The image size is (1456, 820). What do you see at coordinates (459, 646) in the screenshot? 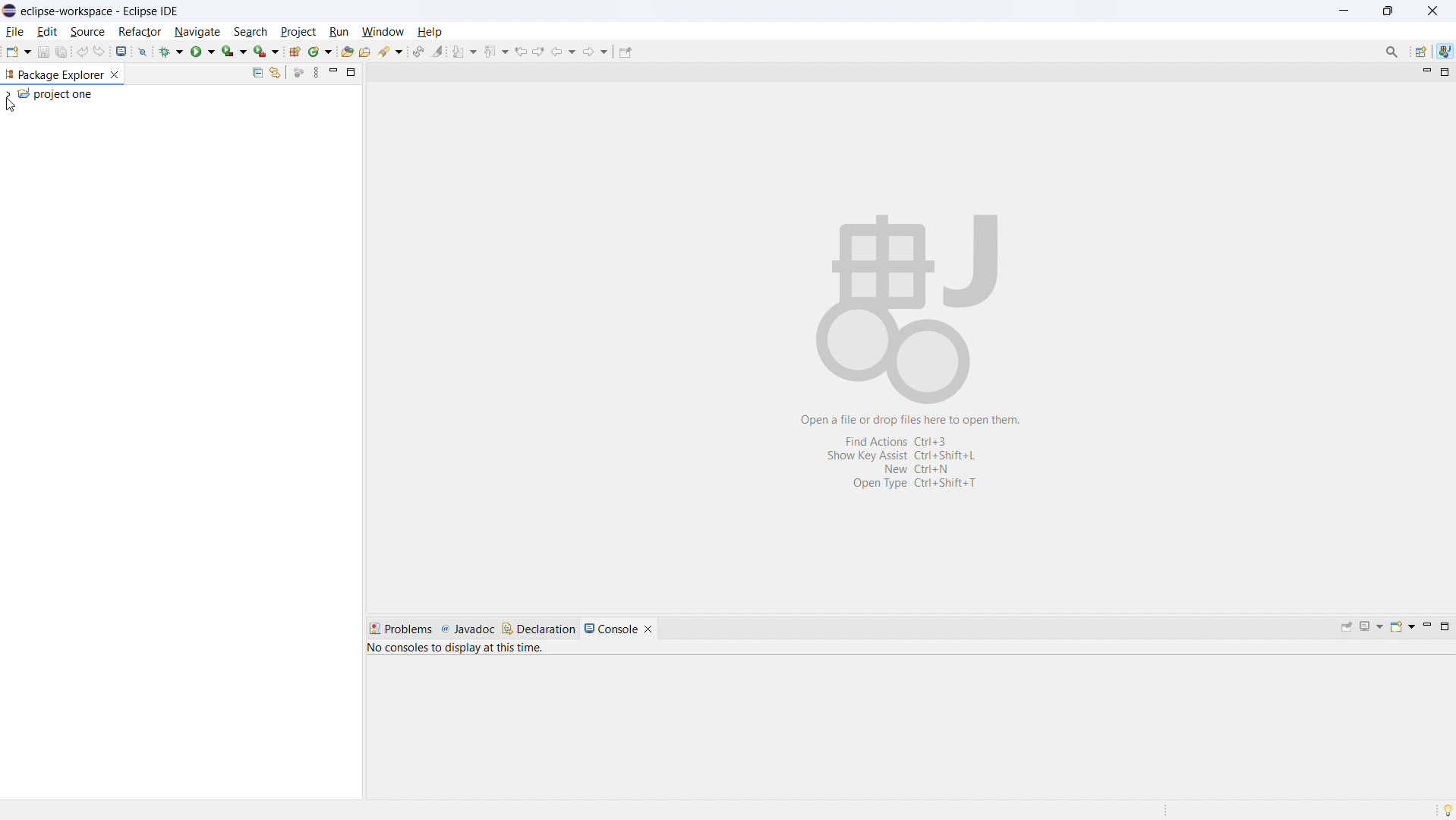
I see `No consoles to display at this time.` at bounding box center [459, 646].